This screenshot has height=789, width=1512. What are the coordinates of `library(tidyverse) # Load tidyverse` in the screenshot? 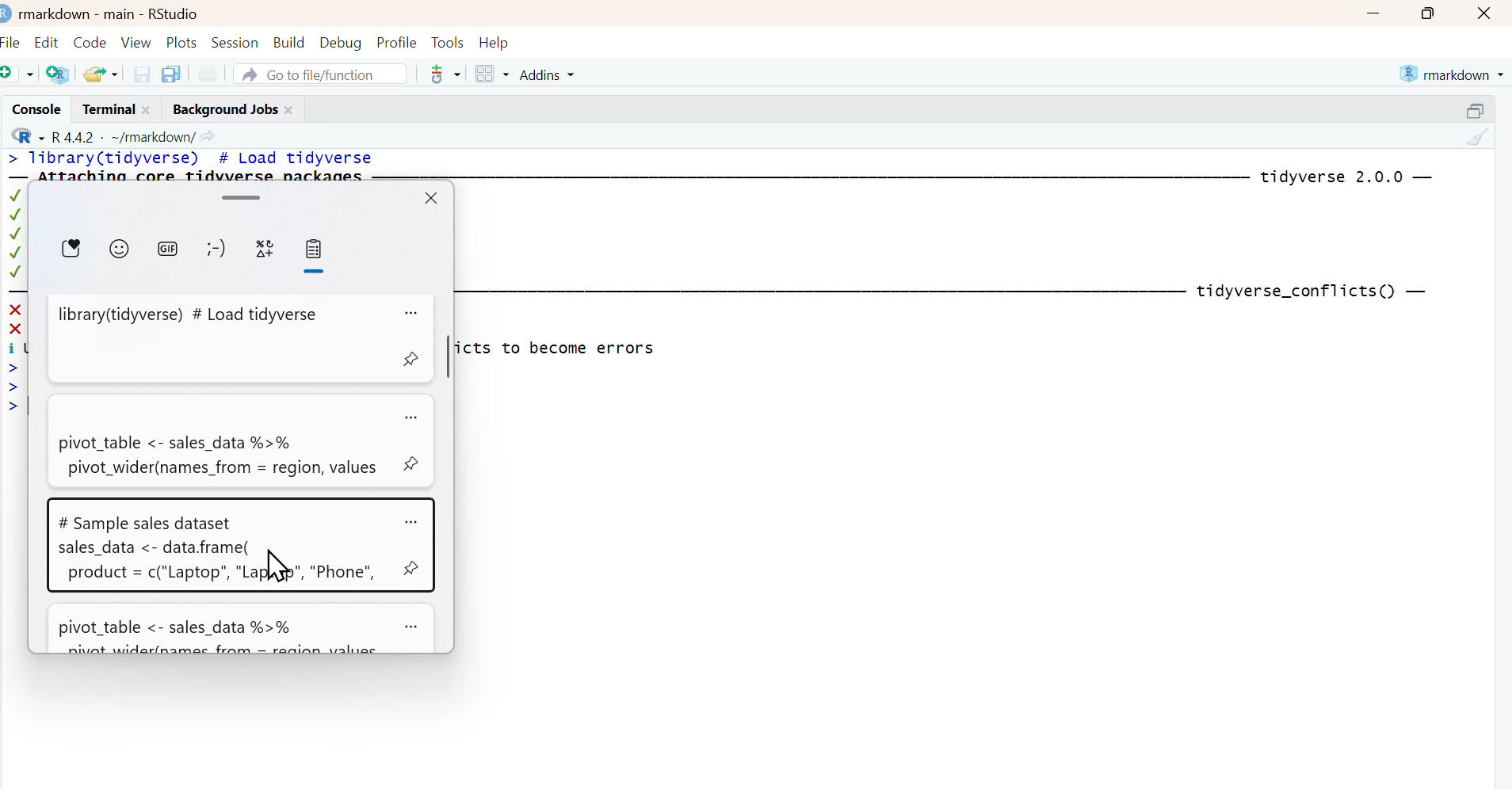 It's located at (219, 339).